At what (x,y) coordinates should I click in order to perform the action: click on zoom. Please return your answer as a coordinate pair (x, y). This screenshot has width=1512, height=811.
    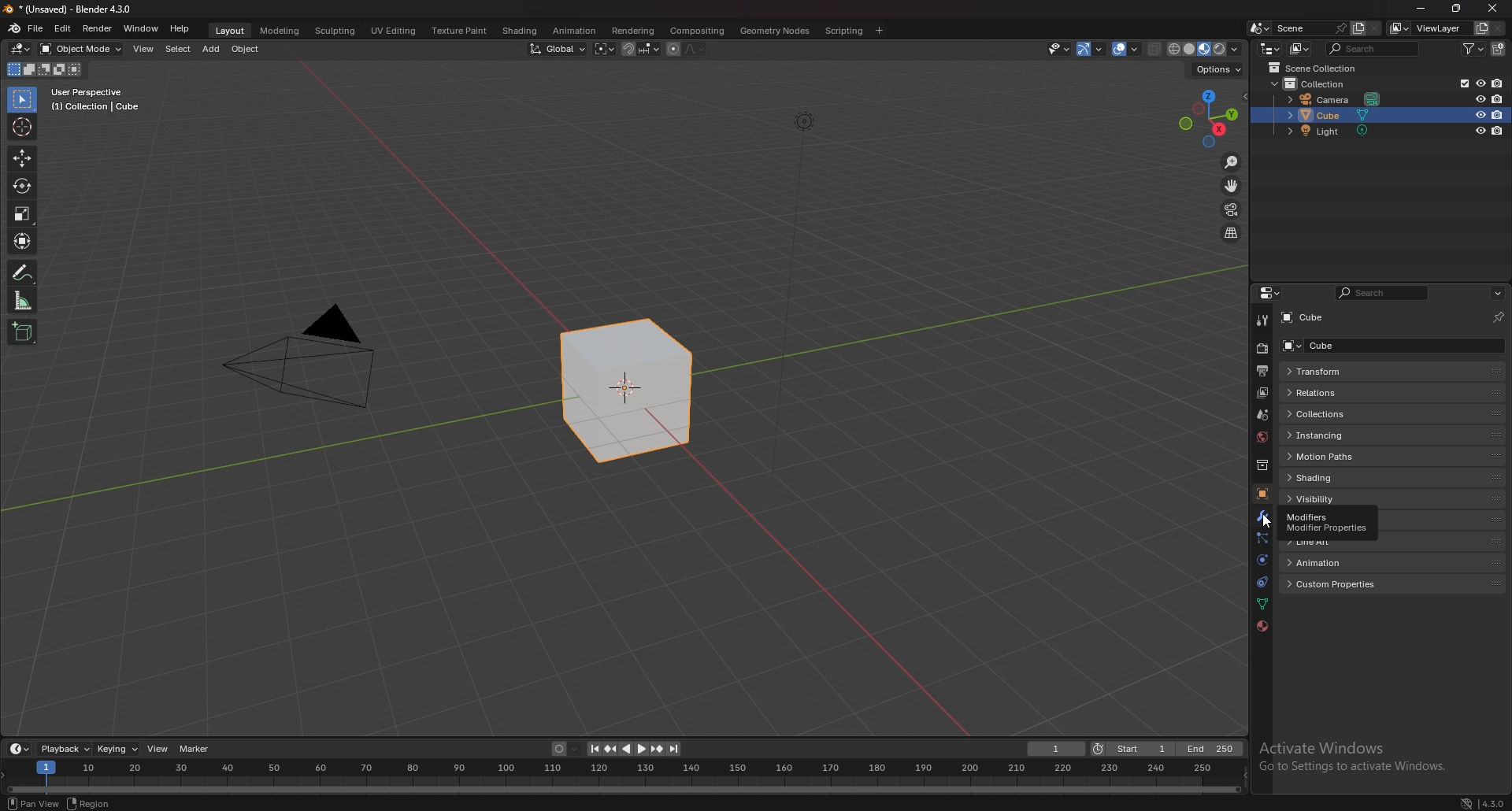
    Looking at the image, I should click on (1230, 162).